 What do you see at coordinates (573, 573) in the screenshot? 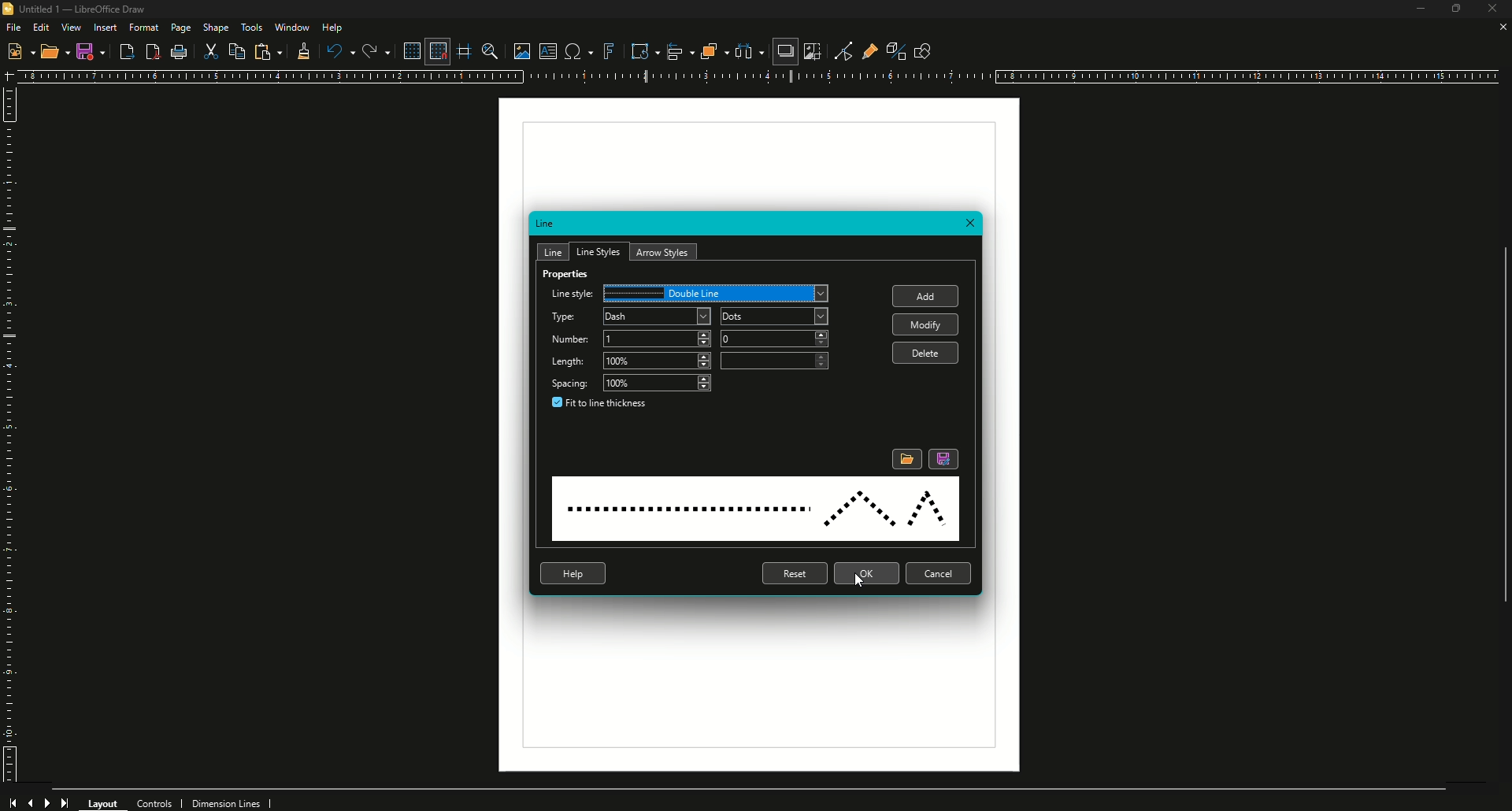
I see `Help` at bounding box center [573, 573].